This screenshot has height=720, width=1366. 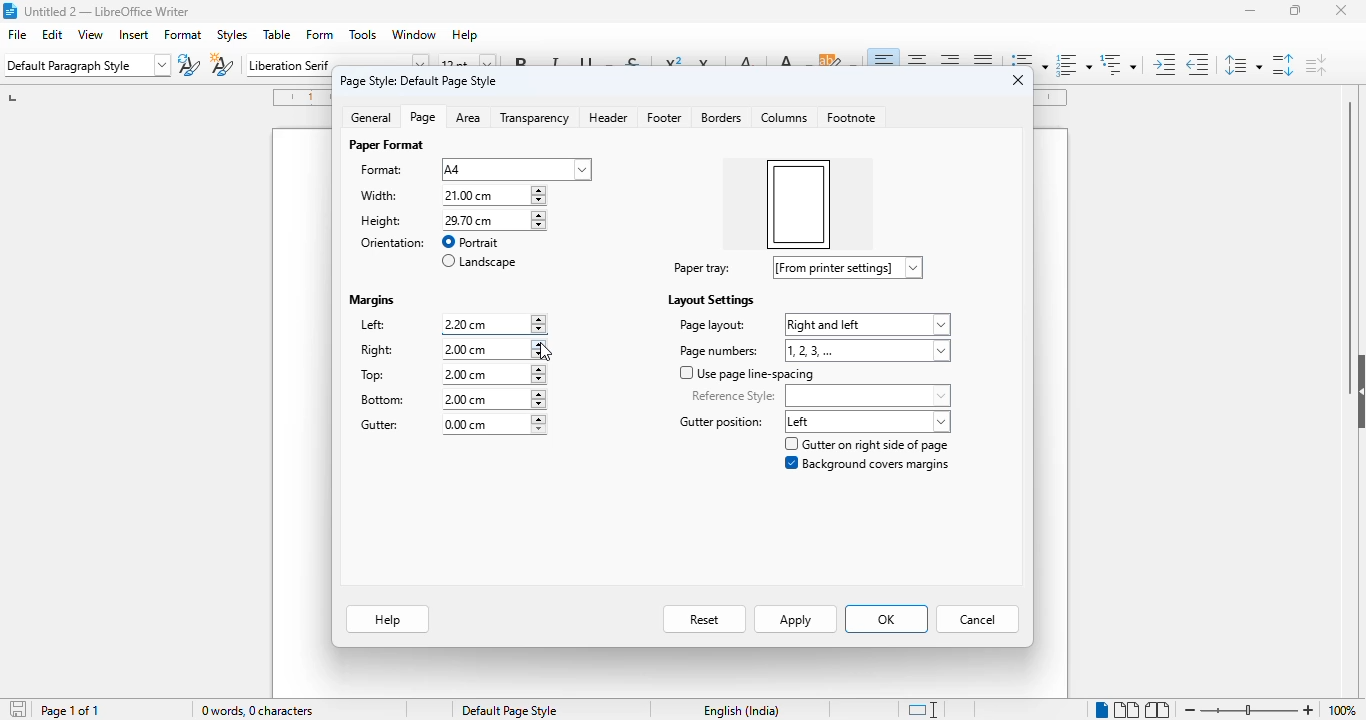 What do you see at coordinates (108, 11) in the screenshot?
I see `title` at bounding box center [108, 11].